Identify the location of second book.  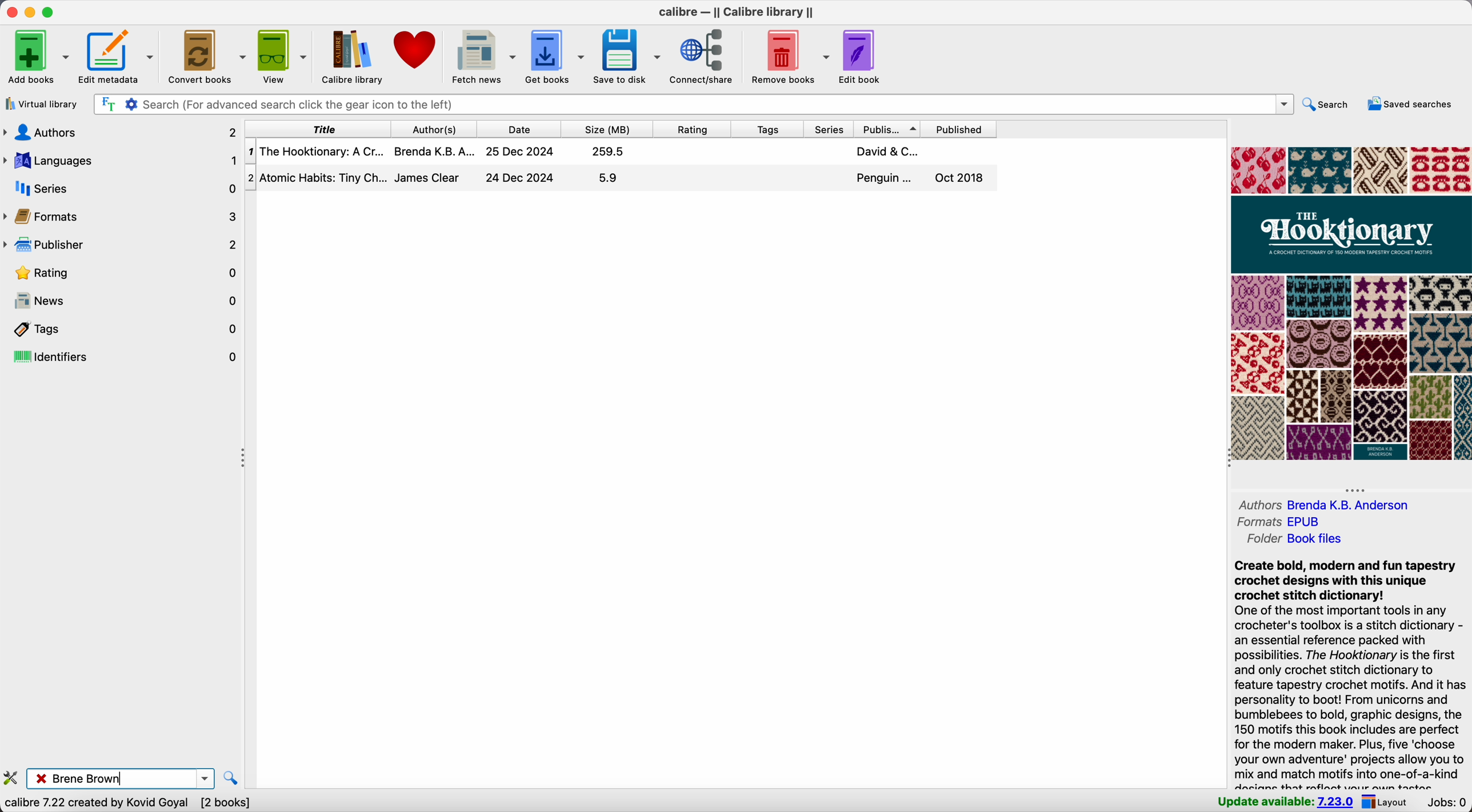
(621, 180).